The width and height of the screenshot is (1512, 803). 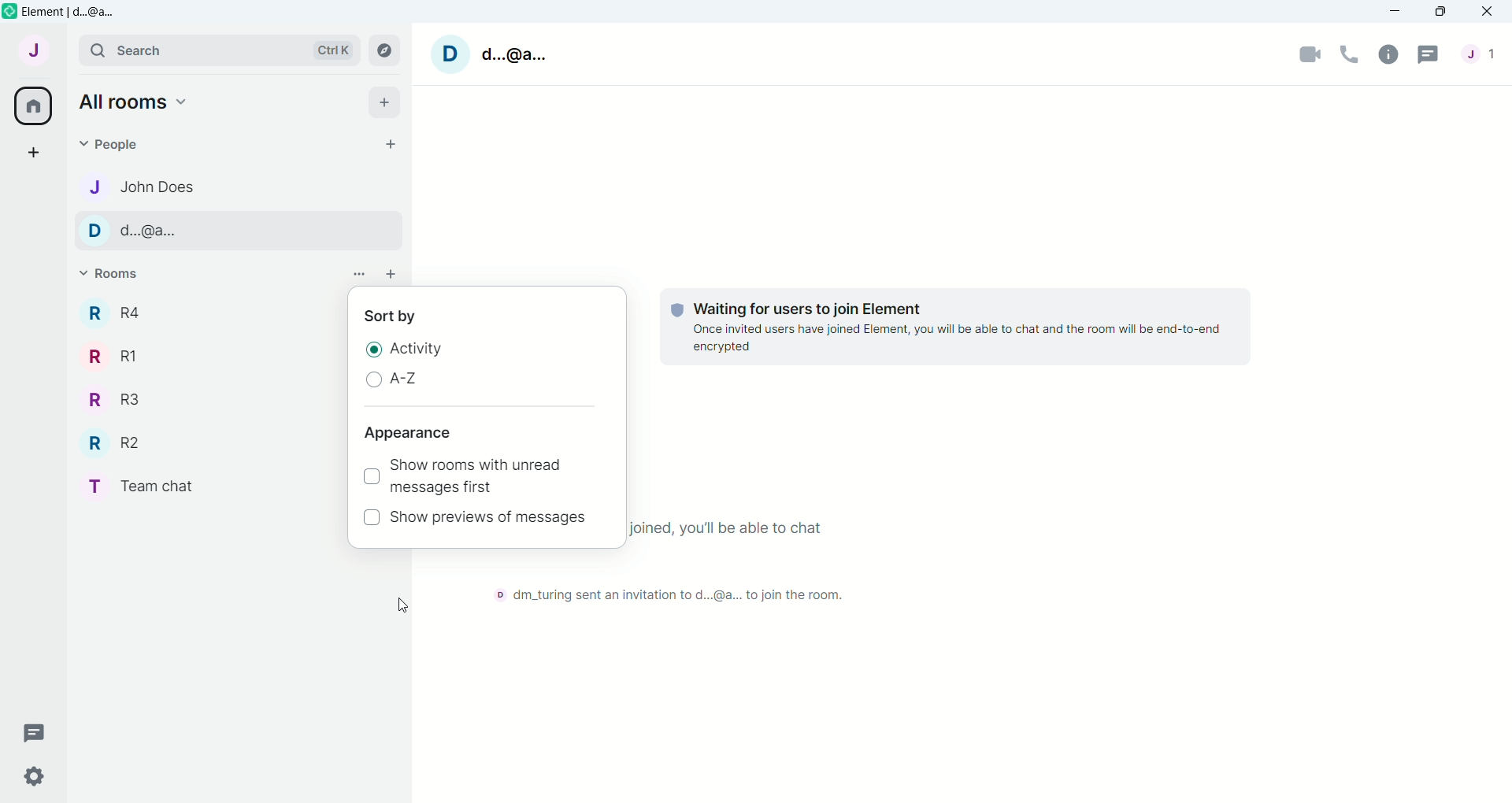 I want to click on Voice call, so click(x=1348, y=54).